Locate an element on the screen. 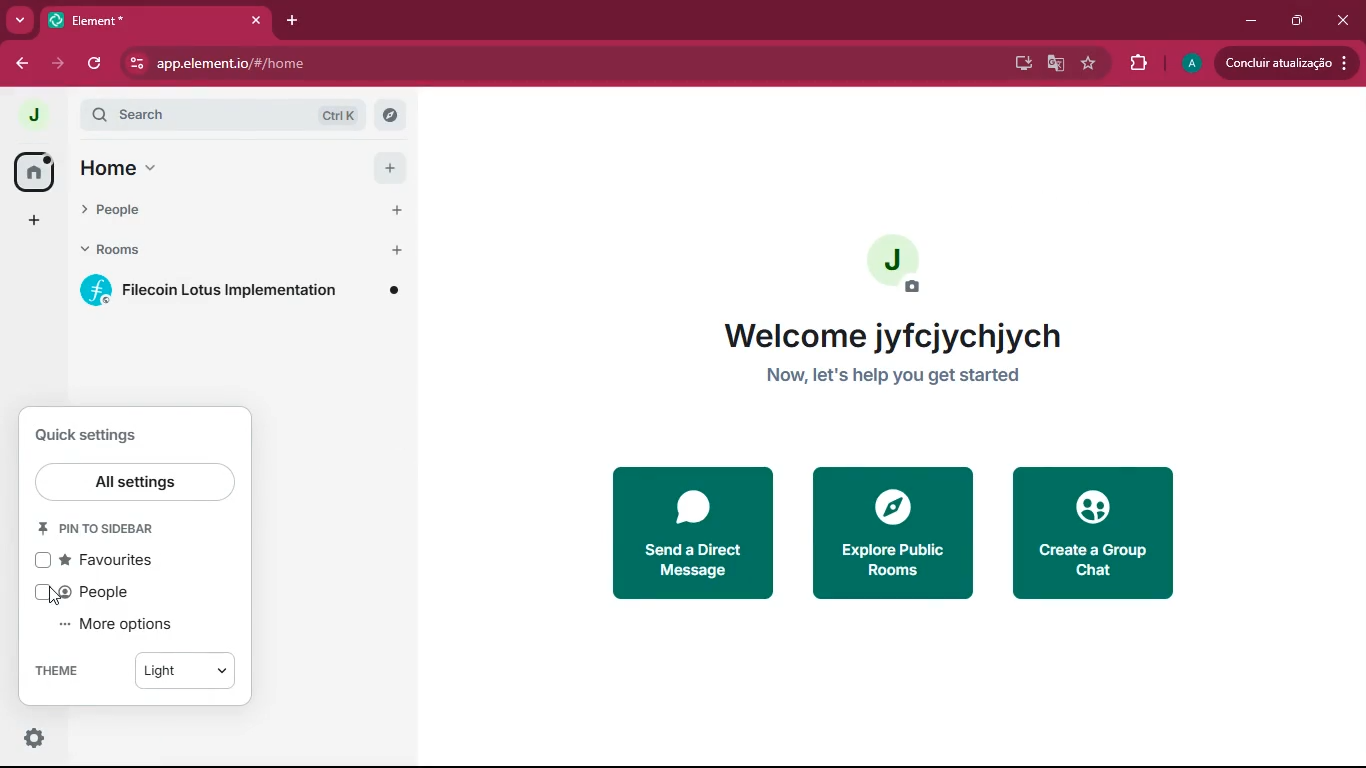 This screenshot has height=768, width=1366. Element* is located at coordinates (155, 20).